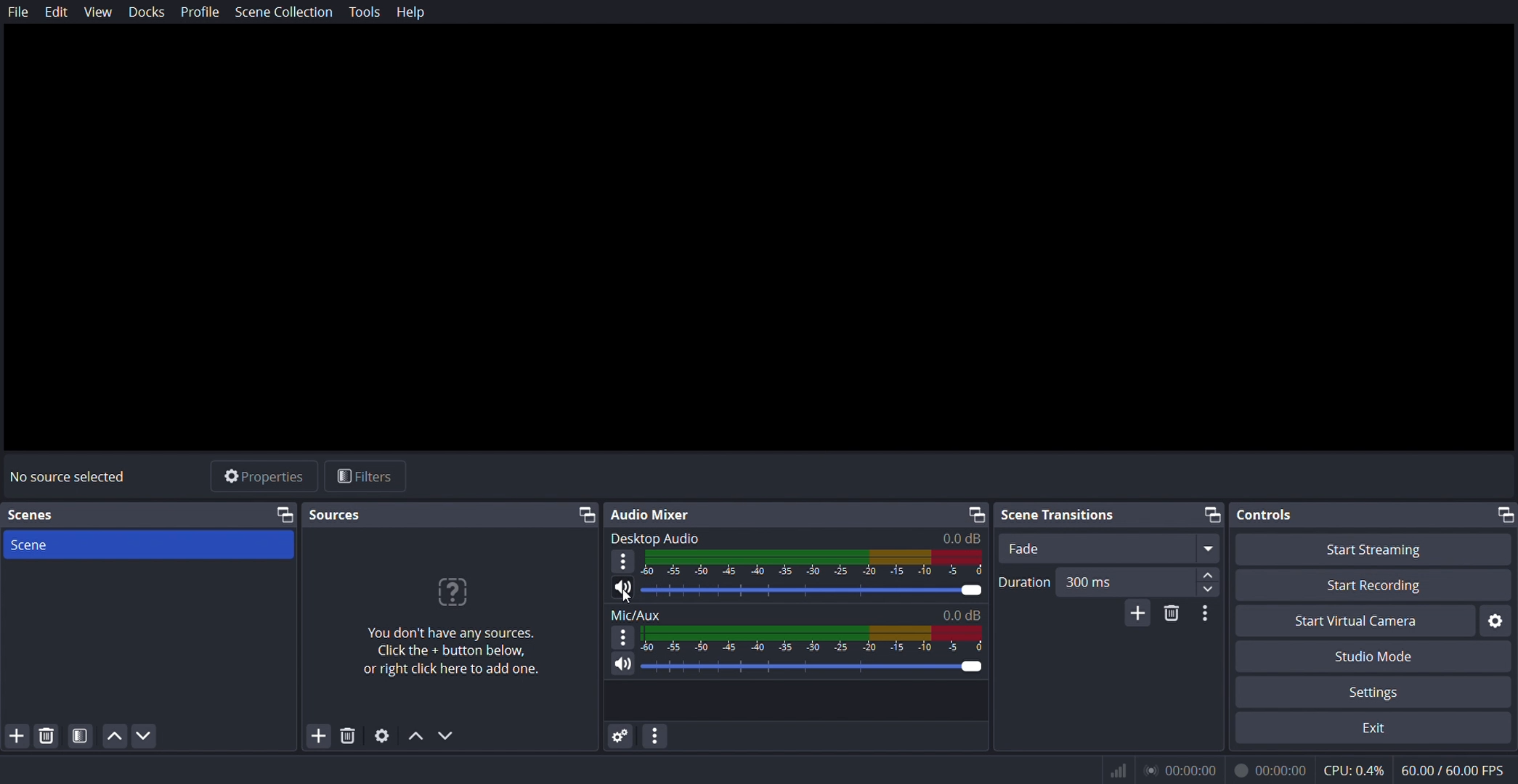  Describe the element at coordinates (201, 11) in the screenshot. I see `profile` at that location.